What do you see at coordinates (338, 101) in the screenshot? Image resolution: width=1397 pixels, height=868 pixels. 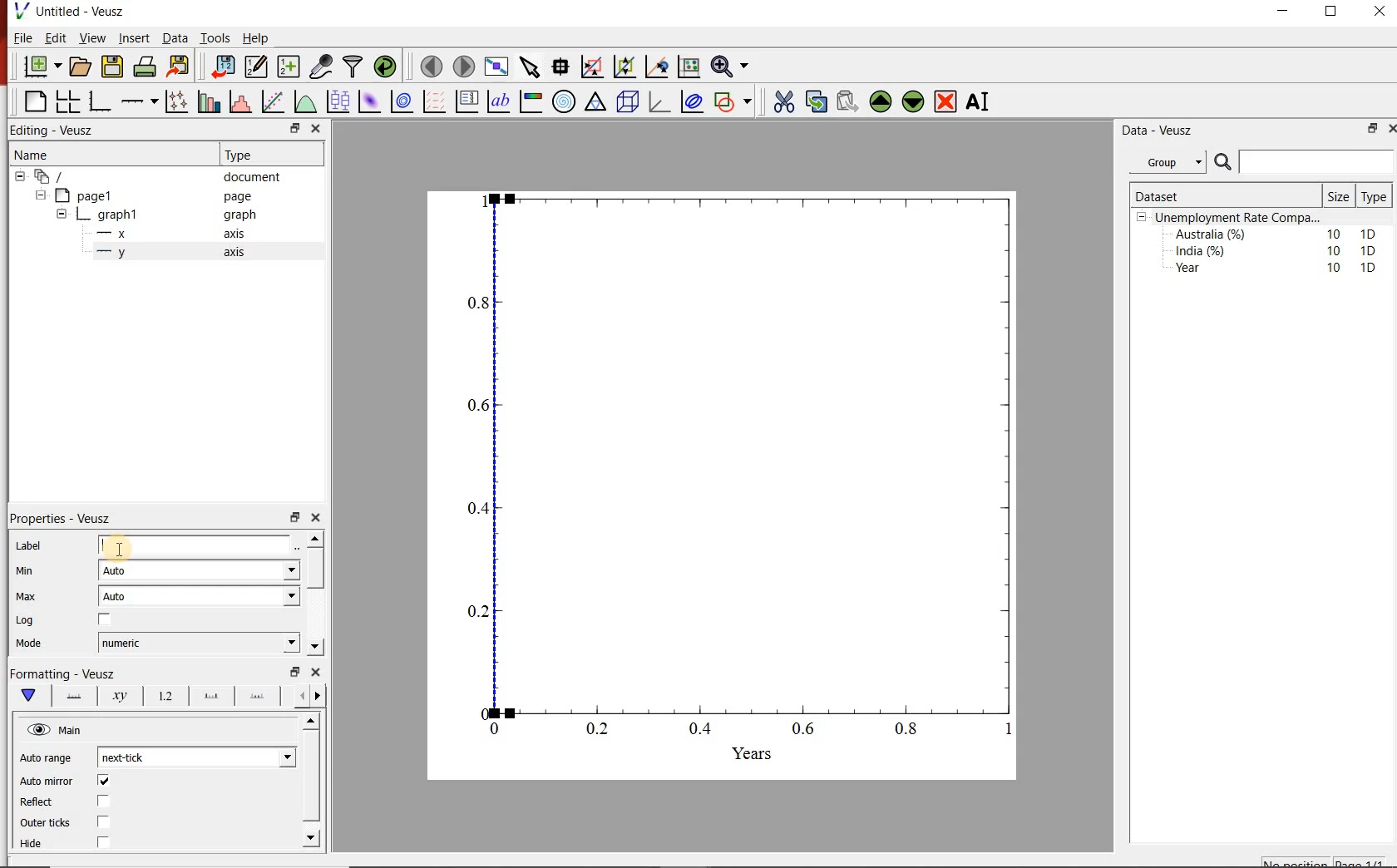 I see `plot box plots` at bounding box center [338, 101].